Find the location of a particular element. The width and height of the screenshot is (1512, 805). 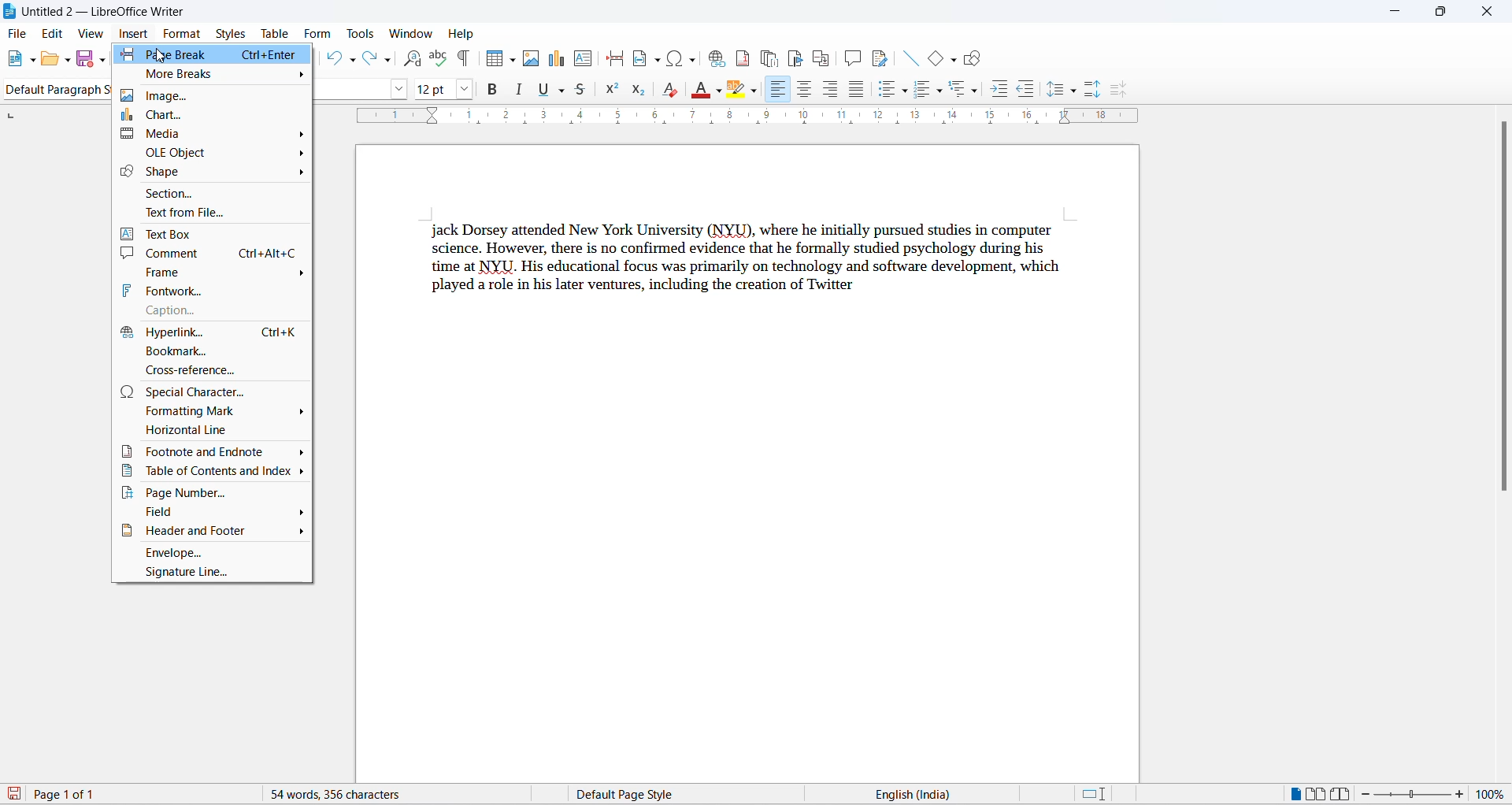

insert comments is located at coordinates (852, 57).